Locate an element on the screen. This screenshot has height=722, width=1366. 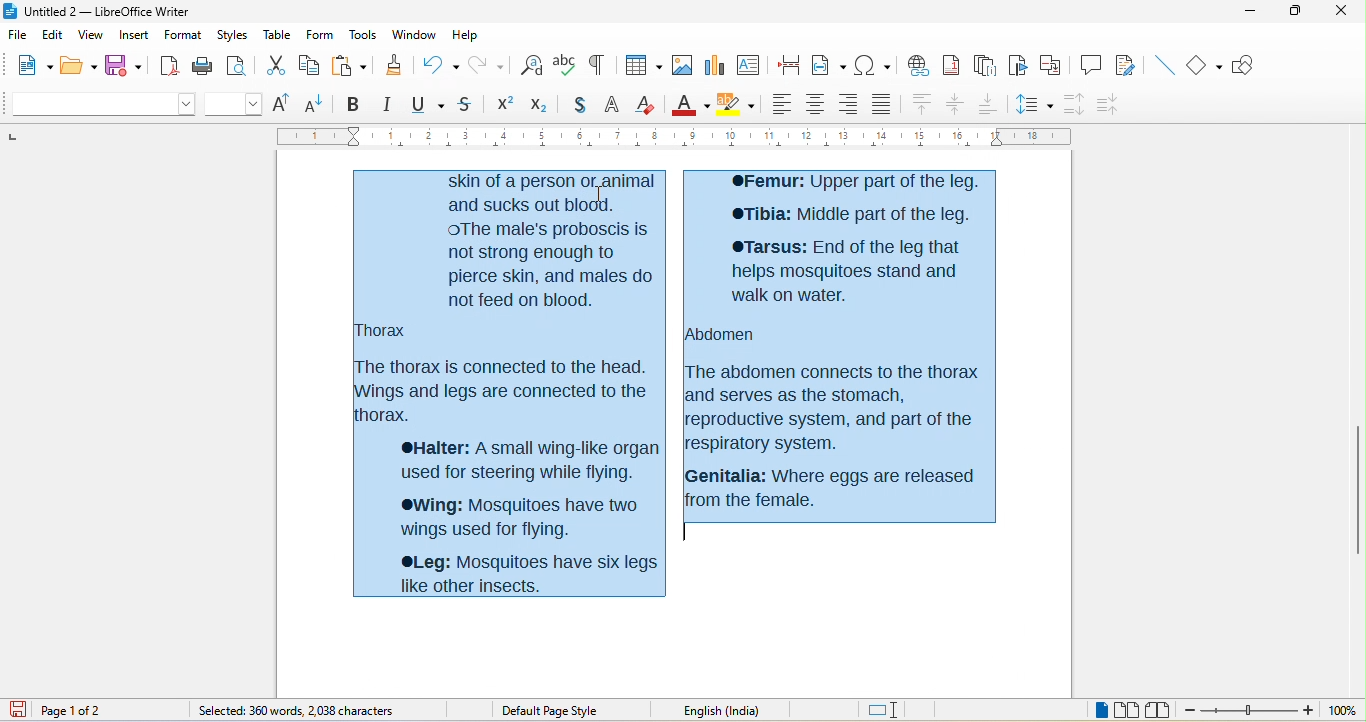
table is located at coordinates (641, 64).